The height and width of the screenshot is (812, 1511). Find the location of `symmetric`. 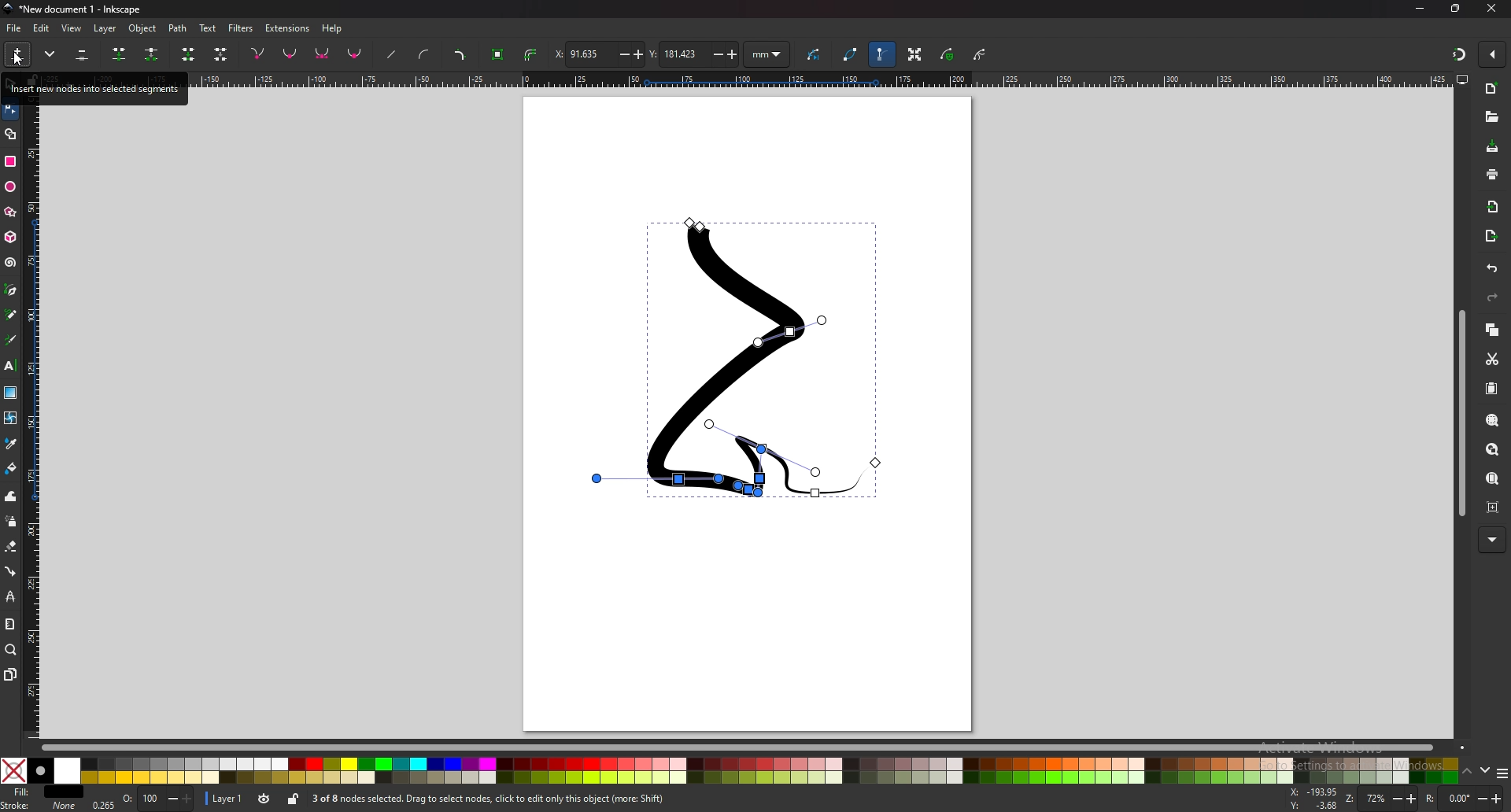

symmetric is located at coordinates (323, 54).